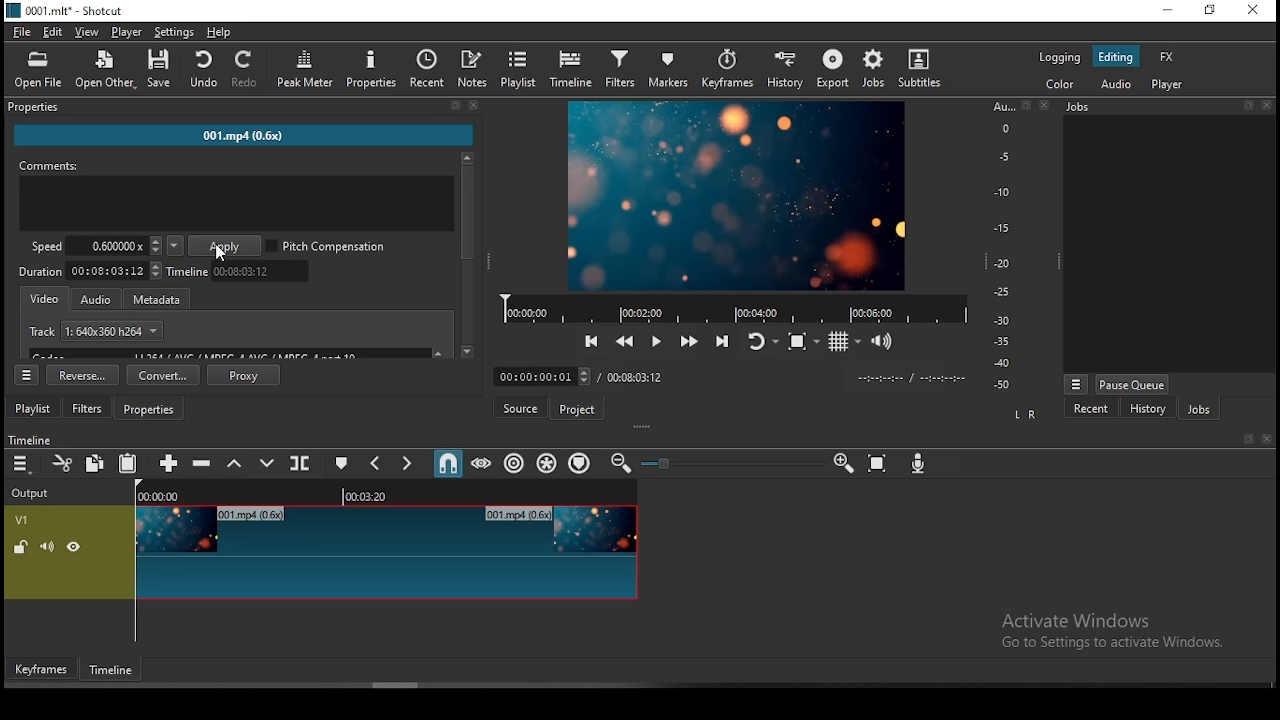  Describe the element at coordinates (1061, 83) in the screenshot. I see `color` at that location.